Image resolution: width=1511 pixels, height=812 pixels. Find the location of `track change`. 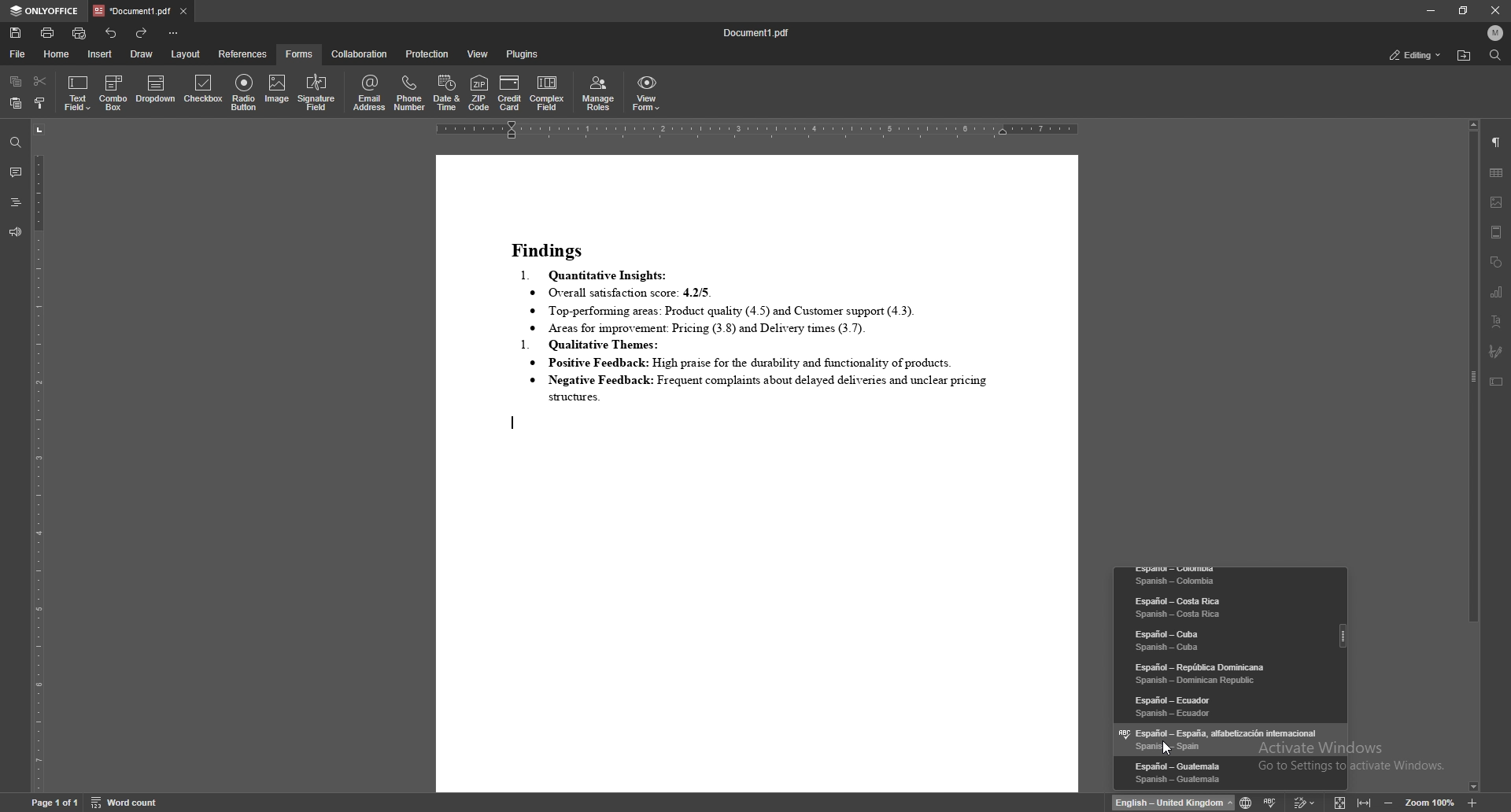

track change is located at coordinates (1300, 803).